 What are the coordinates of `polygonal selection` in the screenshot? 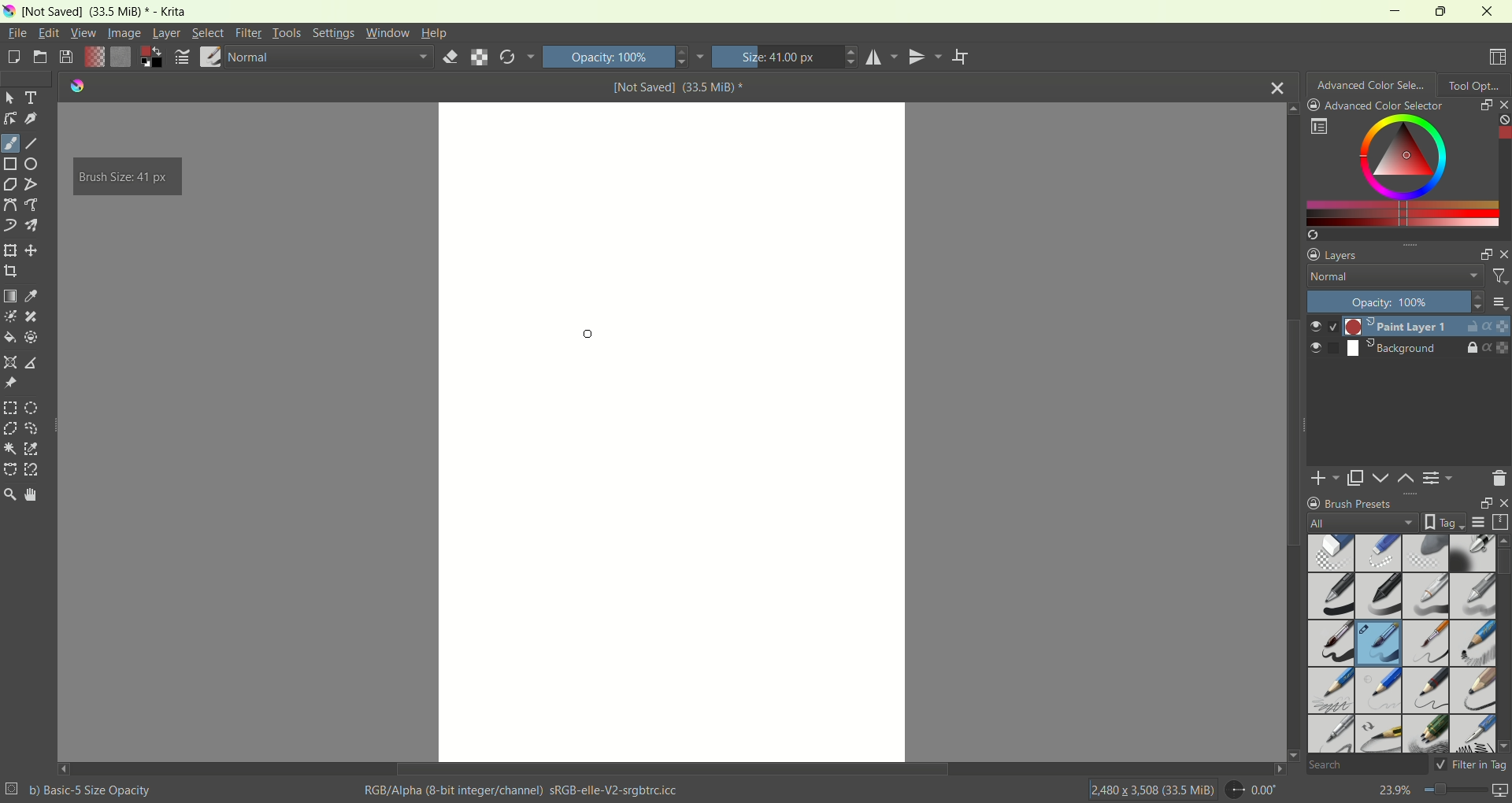 It's located at (10, 428).